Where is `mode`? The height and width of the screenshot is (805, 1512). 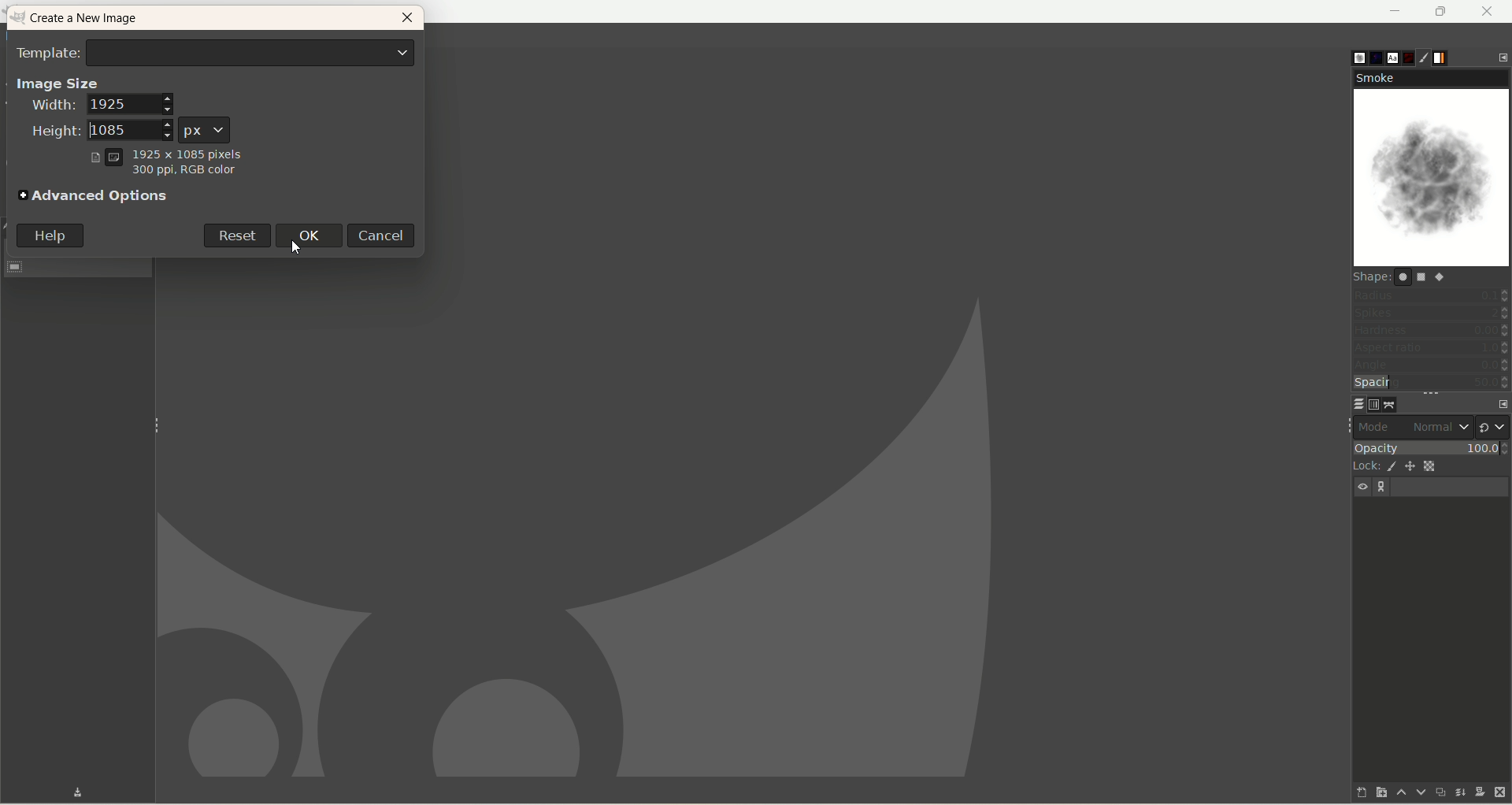 mode is located at coordinates (1378, 426).